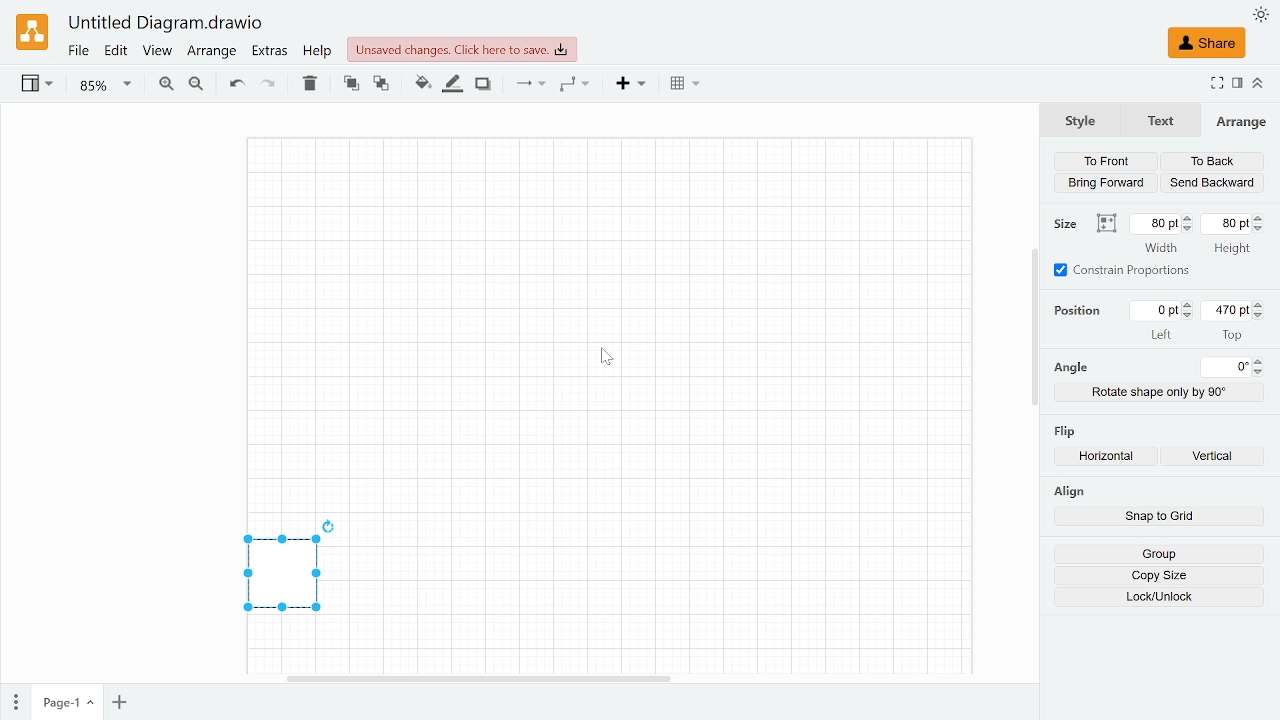 The height and width of the screenshot is (720, 1280). What do you see at coordinates (1260, 361) in the screenshot?
I see `Increase angle` at bounding box center [1260, 361].